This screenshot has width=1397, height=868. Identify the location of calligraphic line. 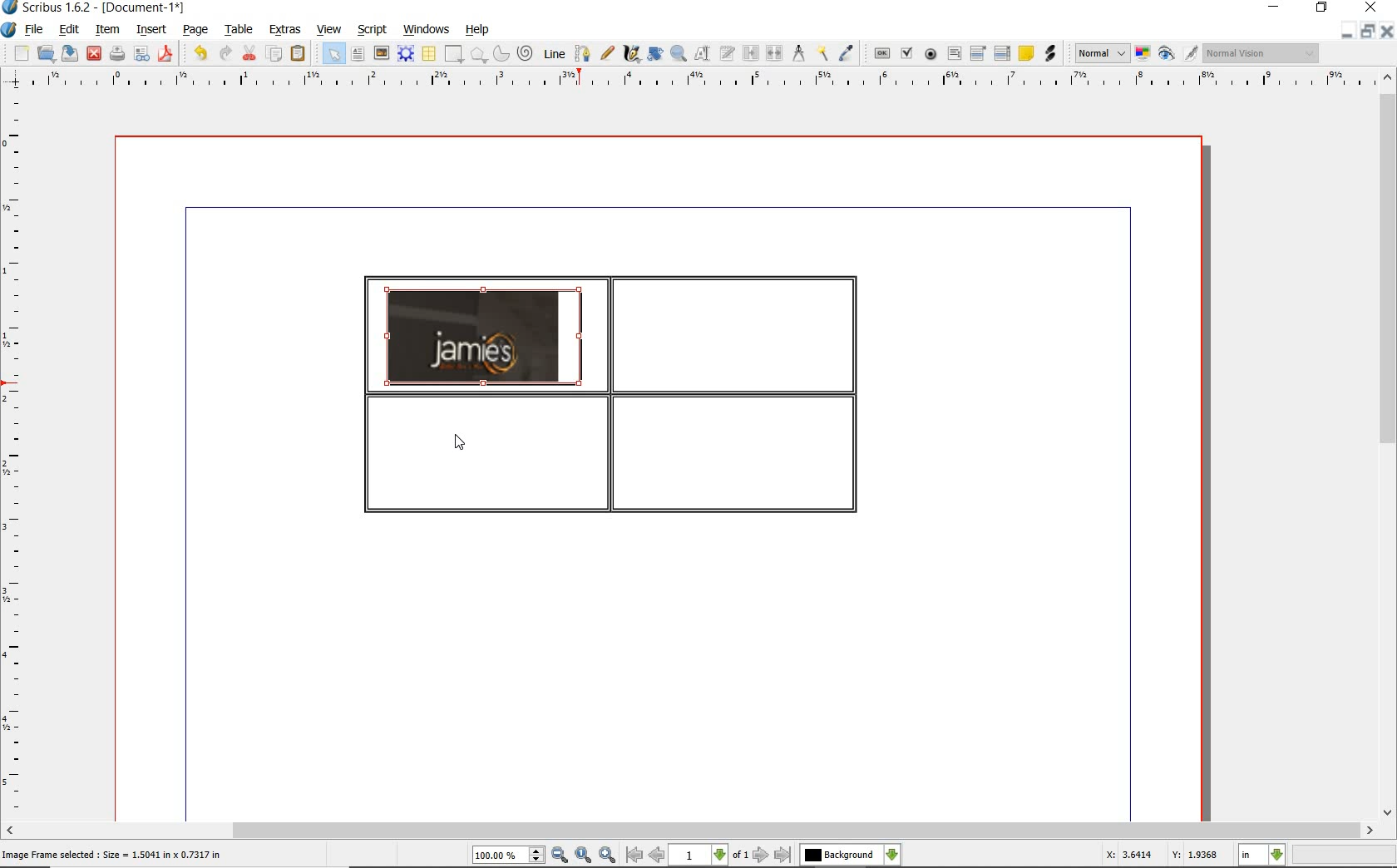
(632, 54).